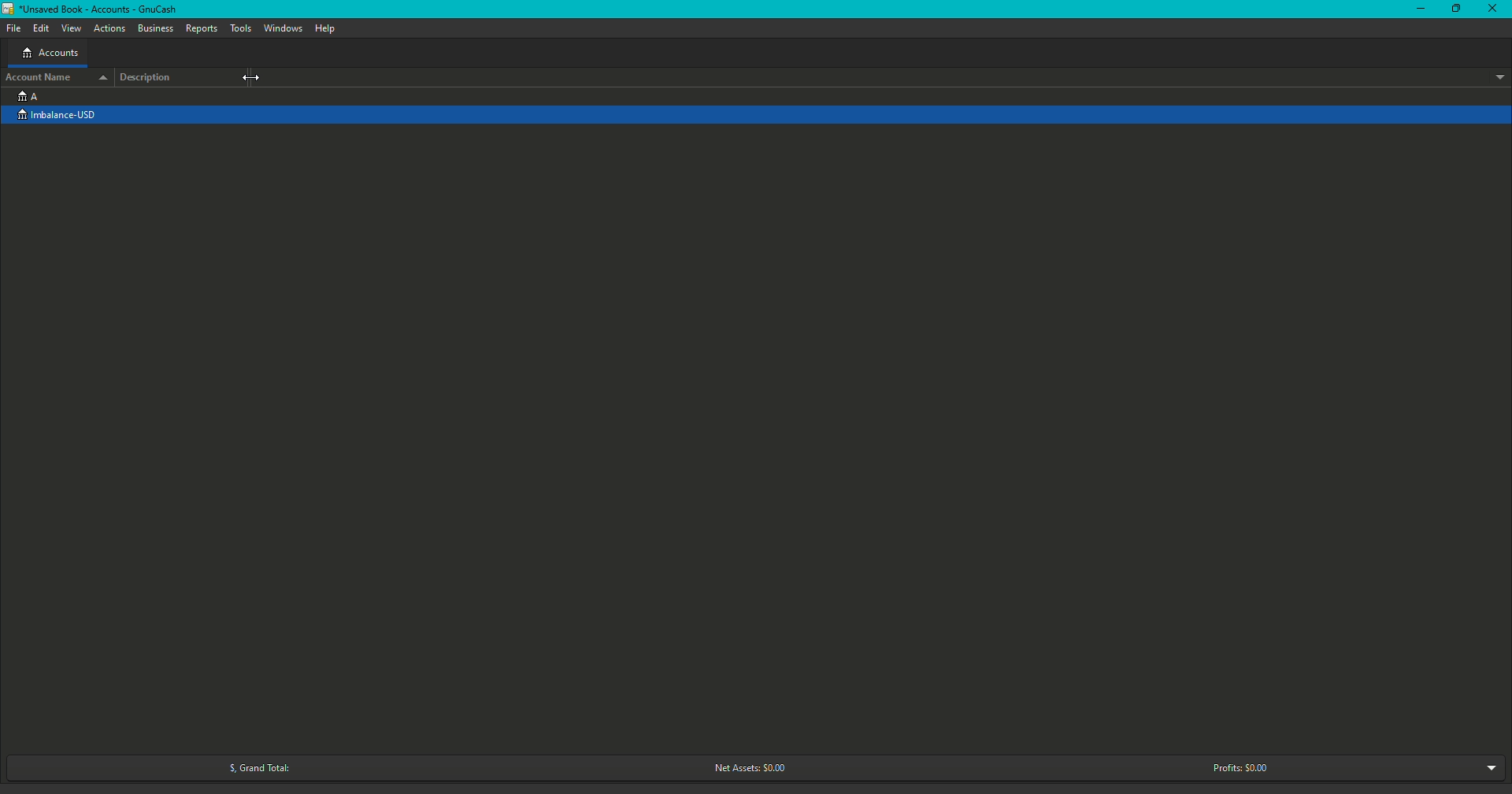  What do you see at coordinates (110, 29) in the screenshot?
I see `Actions` at bounding box center [110, 29].